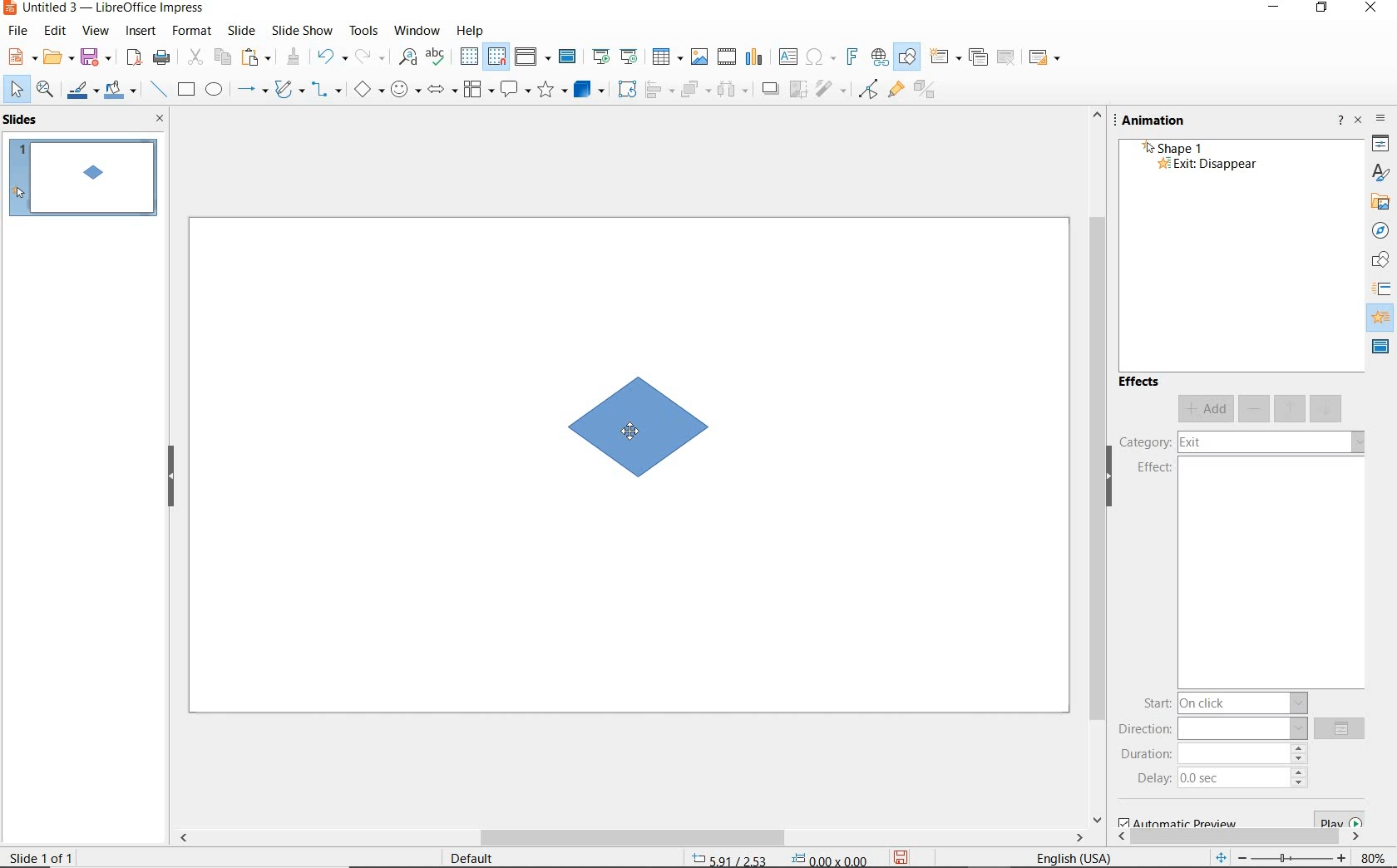 This screenshot has width=1397, height=868. I want to click on format, so click(193, 32).